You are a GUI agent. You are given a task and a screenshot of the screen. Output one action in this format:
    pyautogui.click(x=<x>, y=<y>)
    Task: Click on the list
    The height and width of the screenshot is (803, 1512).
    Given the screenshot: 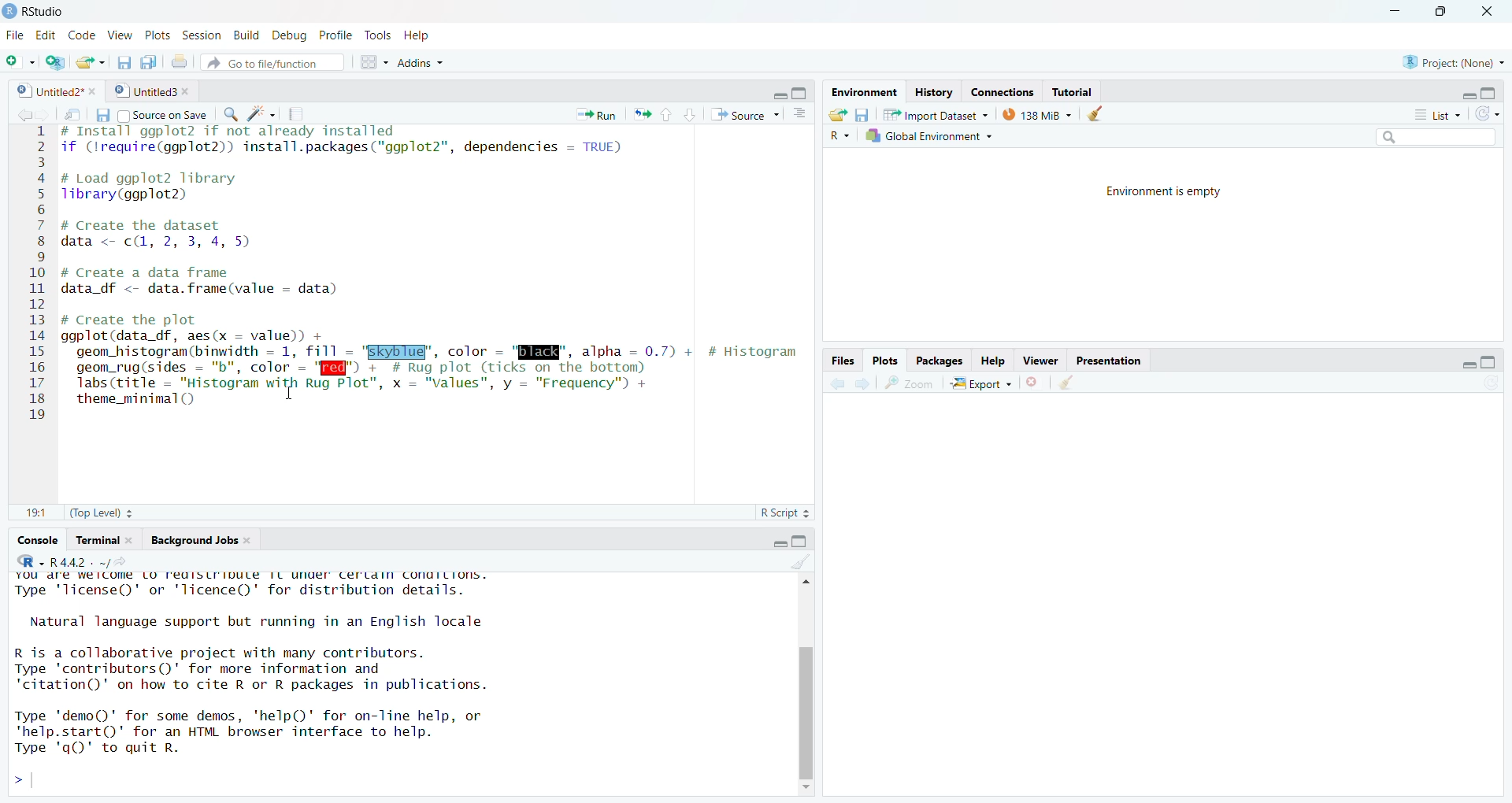 What is the action you would take?
    pyautogui.click(x=1432, y=113)
    